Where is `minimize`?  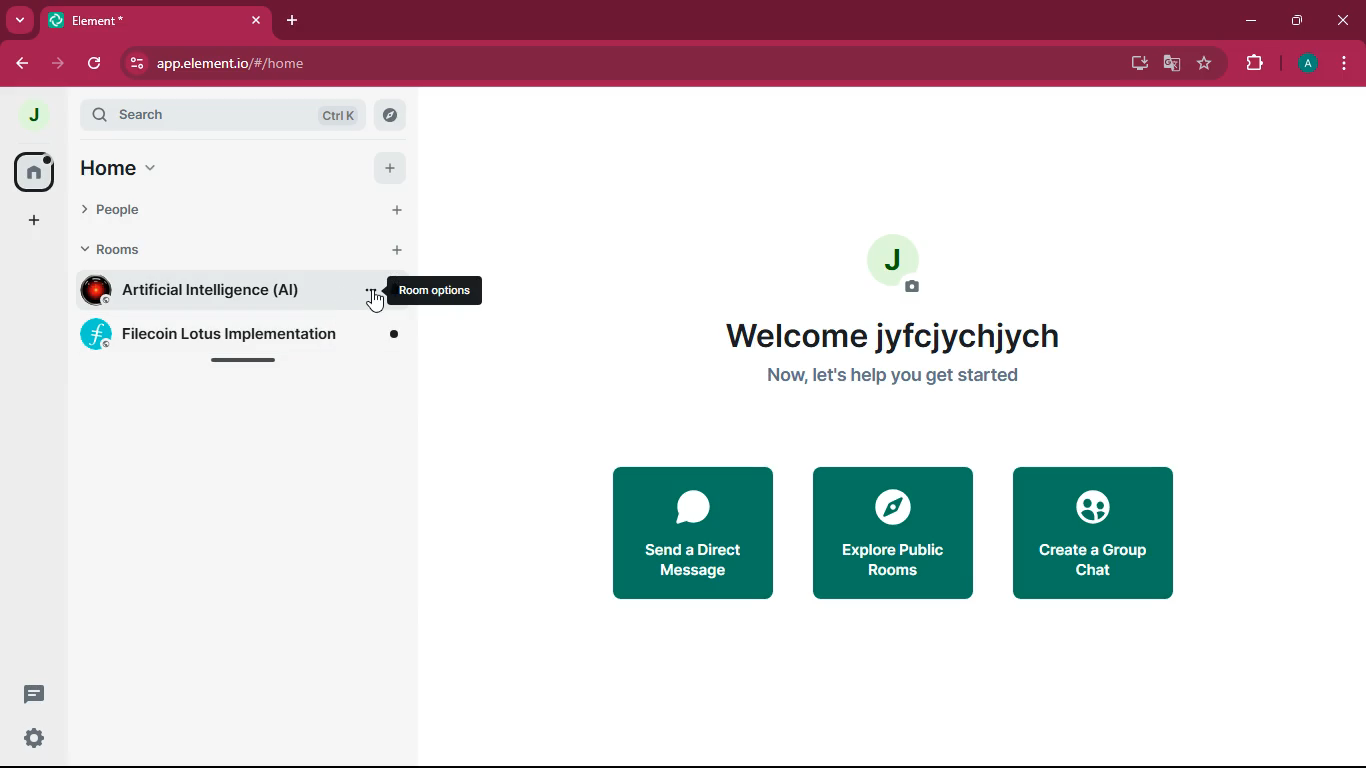
minimize is located at coordinates (1253, 24).